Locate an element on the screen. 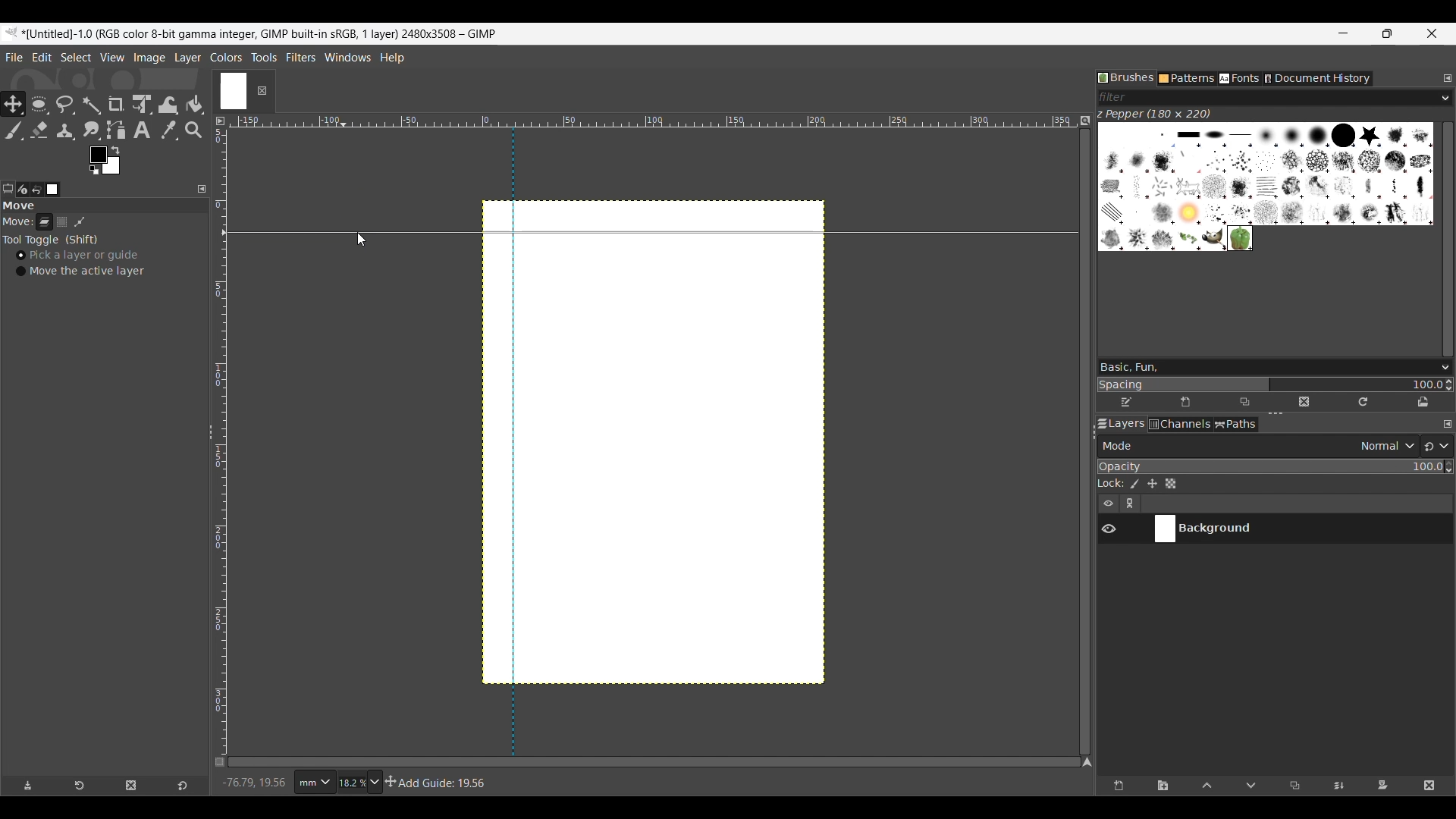 The image size is (1456, 819). Configure this tab is located at coordinates (1448, 78).